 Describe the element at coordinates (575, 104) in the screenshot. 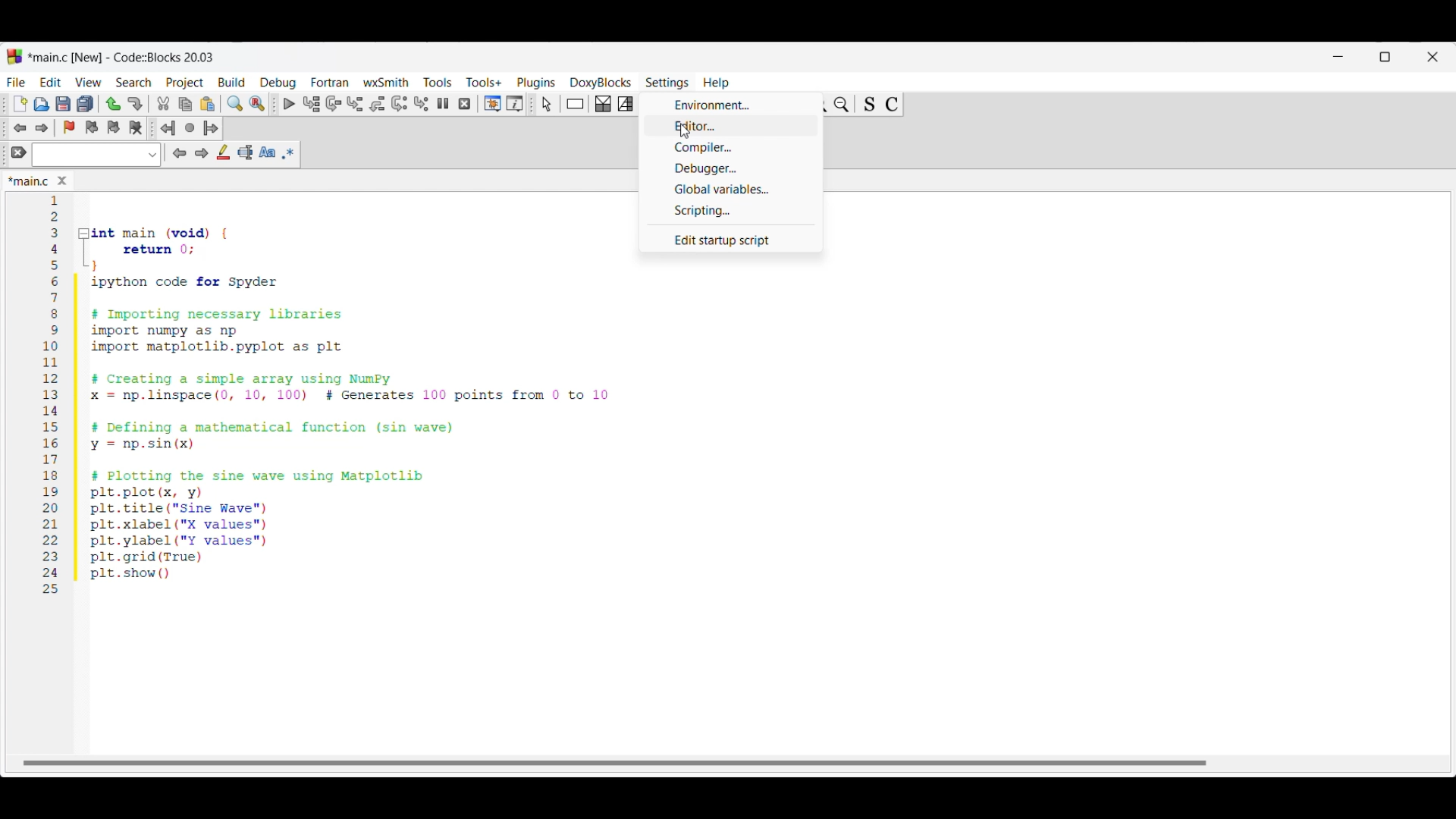

I see `Instruction` at that location.